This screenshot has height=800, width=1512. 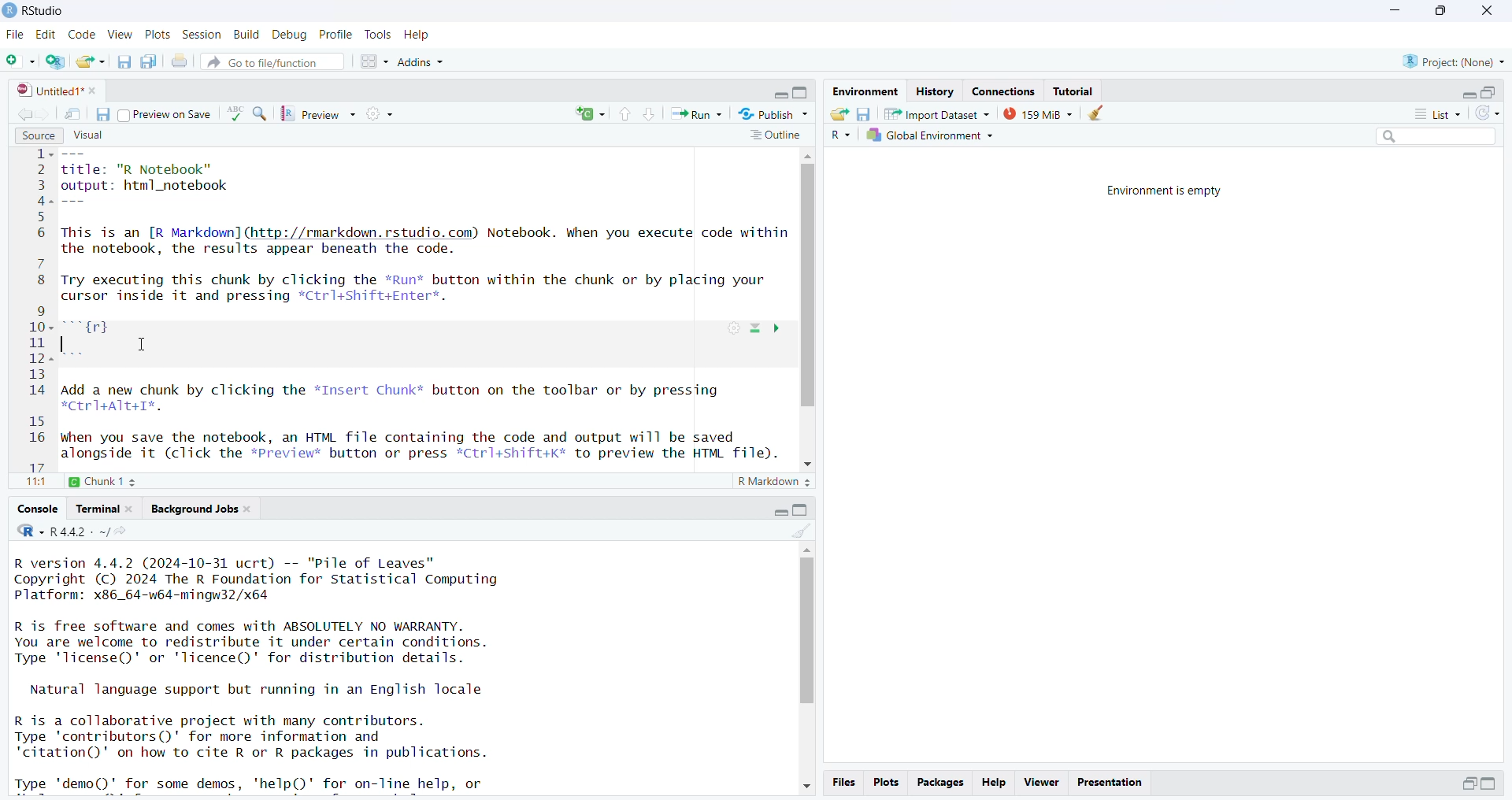 I want to click on presentation, so click(x=1110, y=781).